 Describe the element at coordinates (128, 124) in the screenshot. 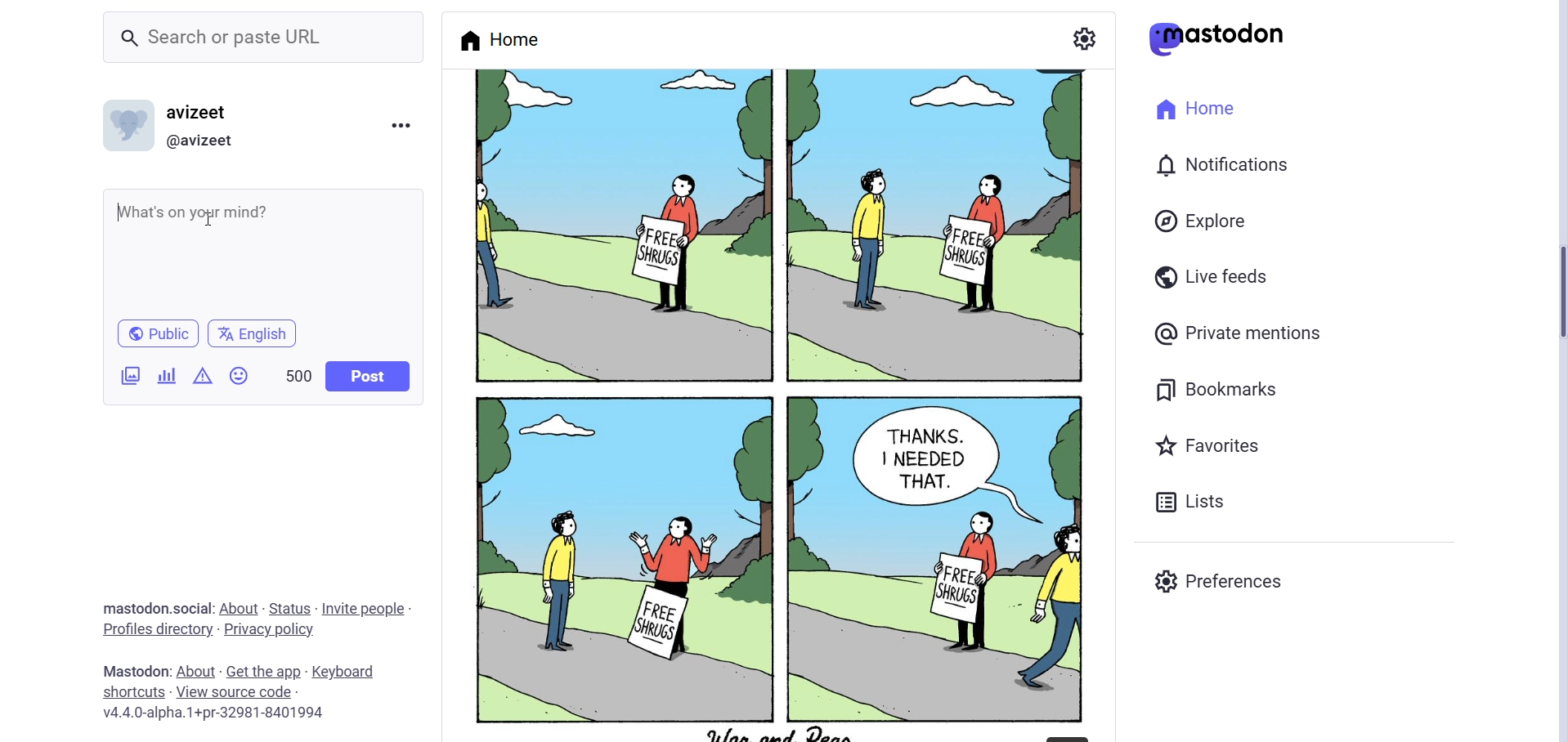

I see `Profile Picture` at that location.